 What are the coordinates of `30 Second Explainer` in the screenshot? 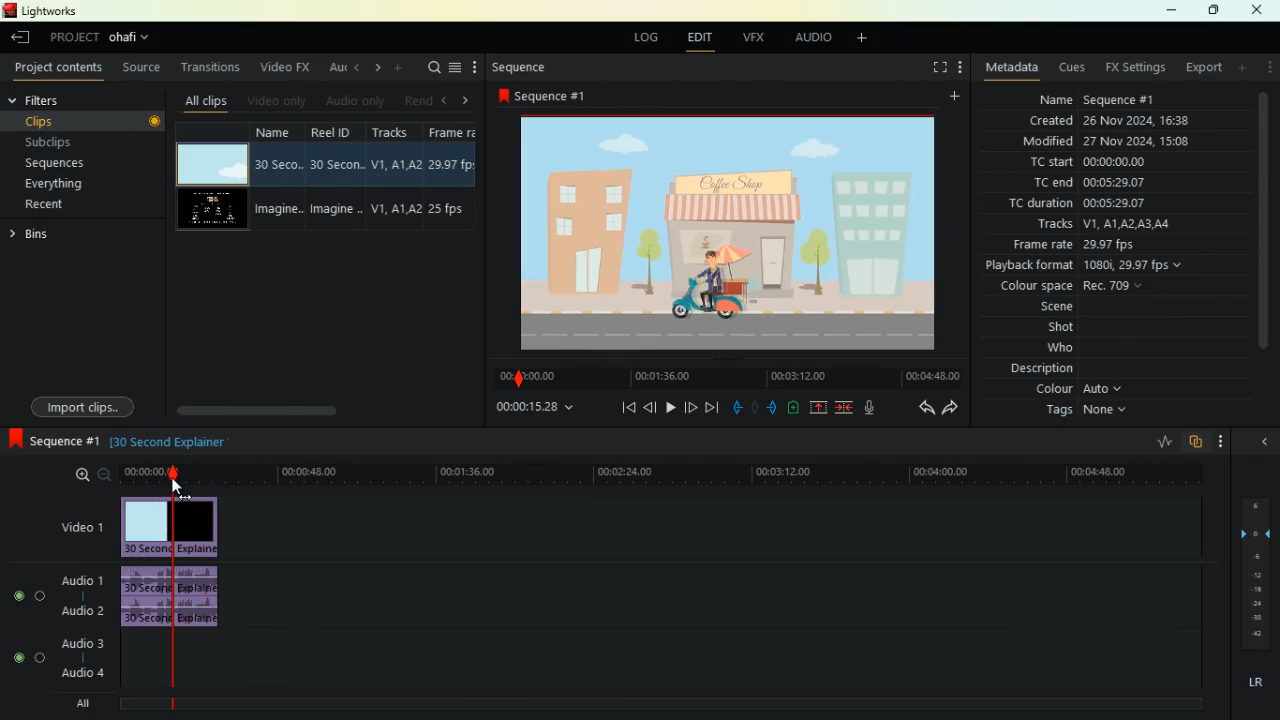 It's located at (591, 446).